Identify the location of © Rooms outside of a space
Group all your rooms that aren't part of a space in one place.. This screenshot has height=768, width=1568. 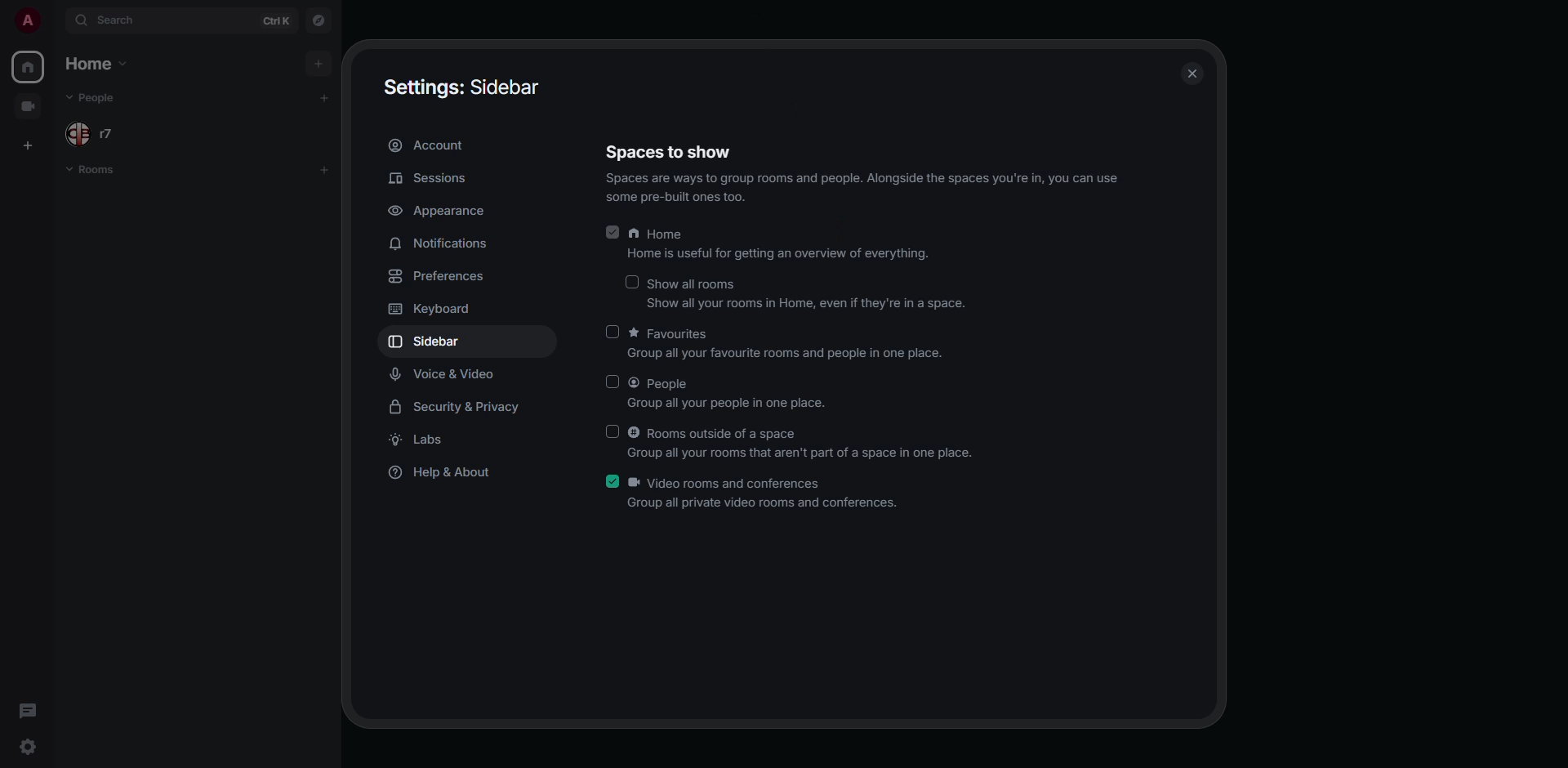
(802, 441).